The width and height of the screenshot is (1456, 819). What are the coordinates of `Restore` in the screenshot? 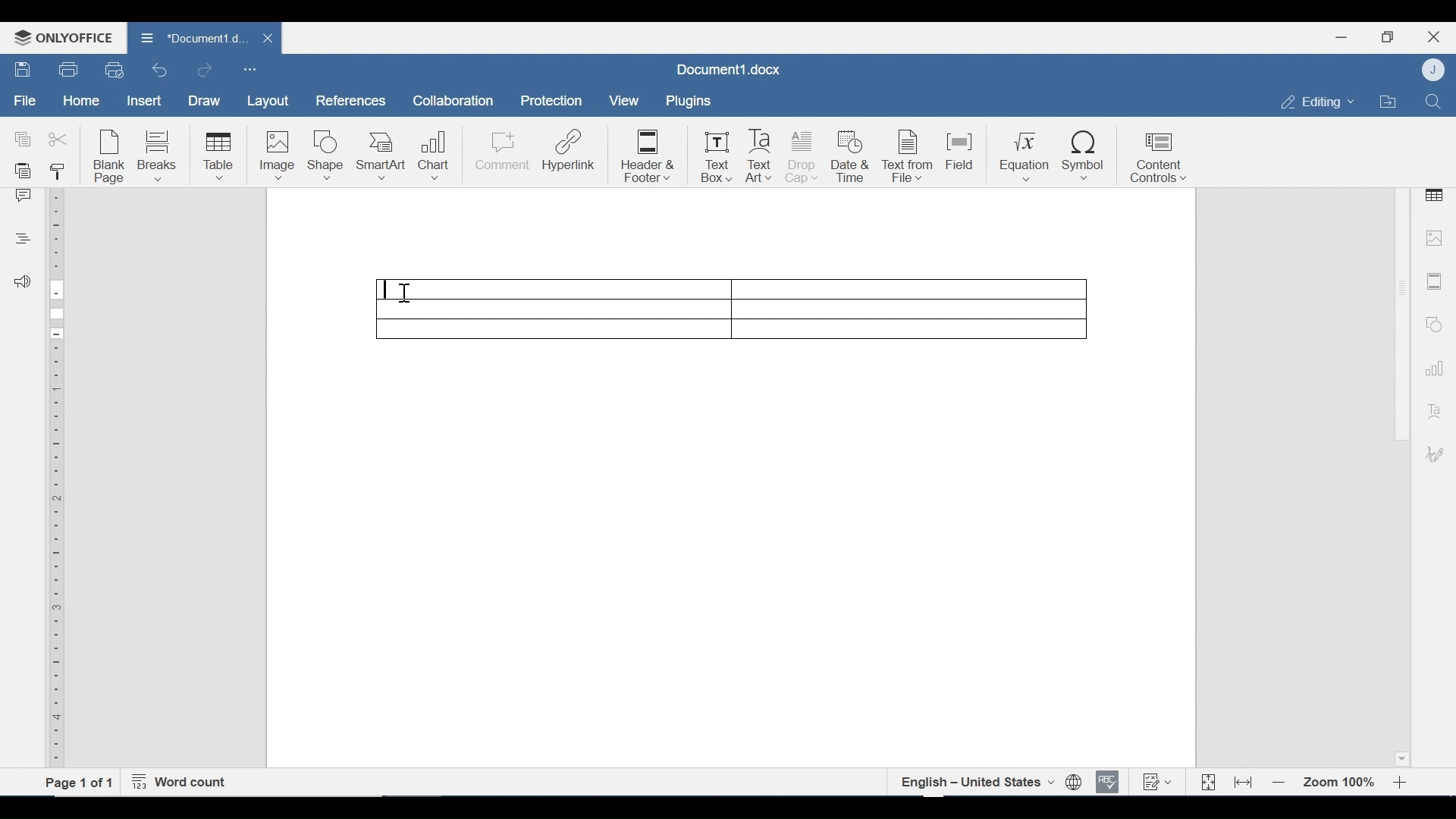 It's located at (1387, 37).